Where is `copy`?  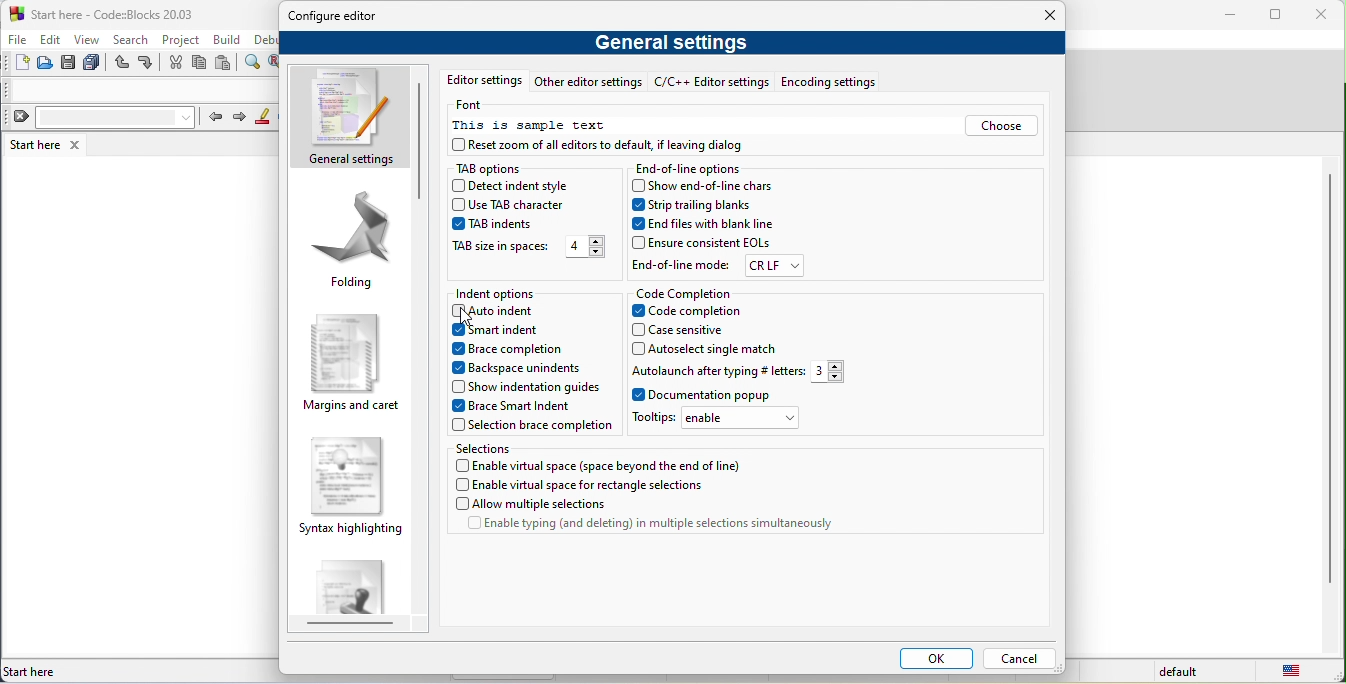 copy is located at coordinates (204, 64).